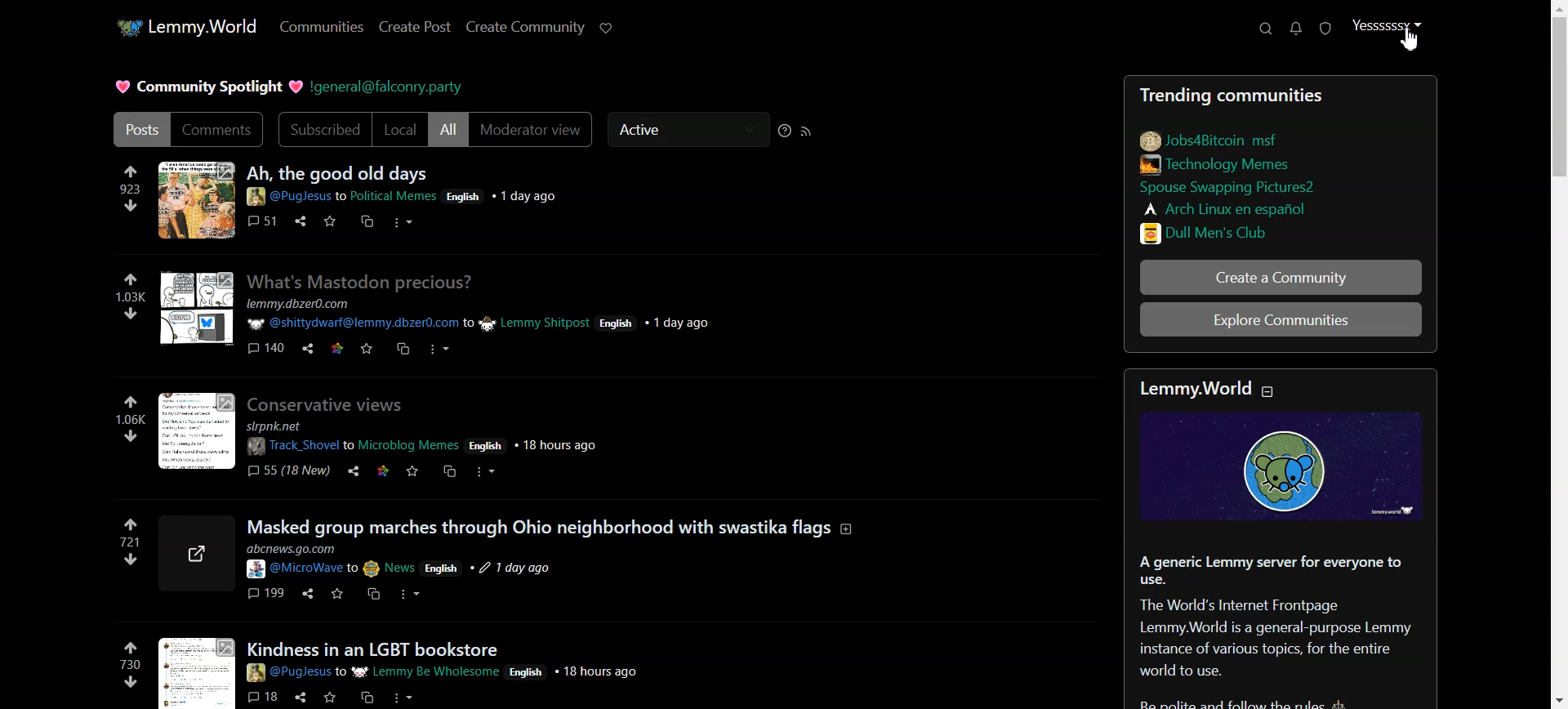 Image resolution: width=1568 pixels, height=709 pixels. What do you see at coordinates (374, 649) in the screenshot?
I see `` at bounding box center [374, 649].